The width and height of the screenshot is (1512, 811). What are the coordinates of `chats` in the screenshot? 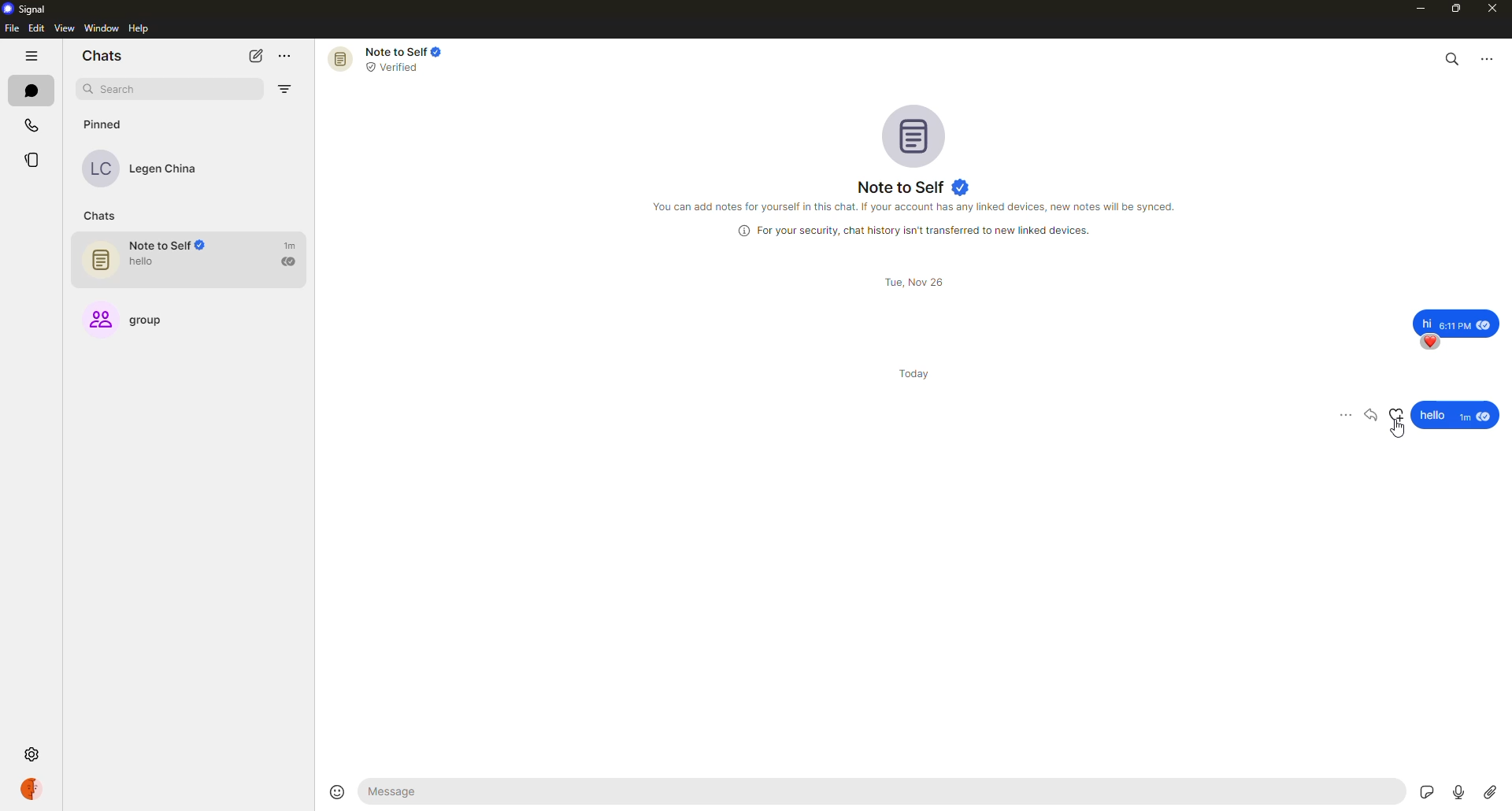 It's located at (31, 90).